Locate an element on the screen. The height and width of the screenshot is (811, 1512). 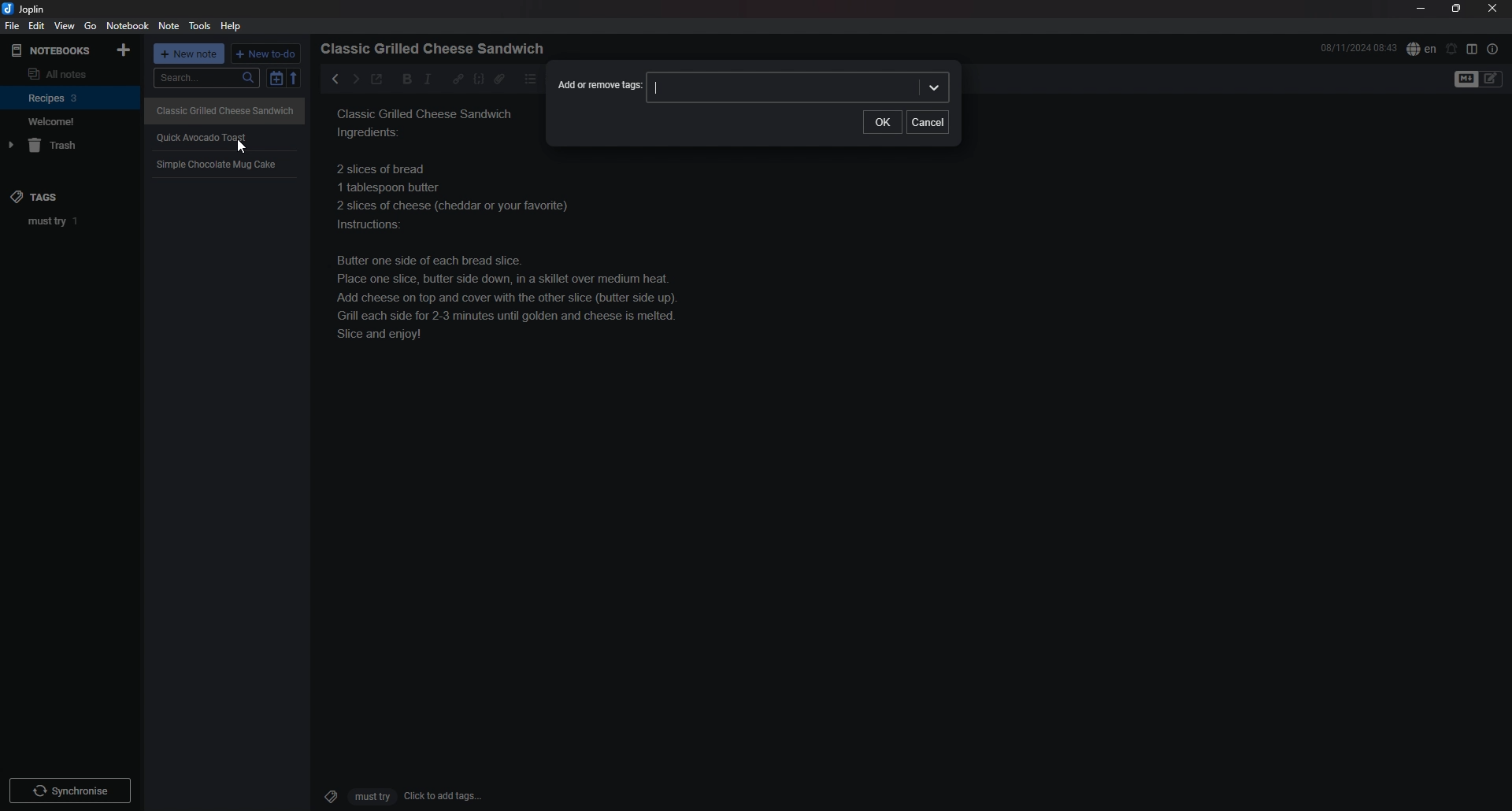
note properties is located at coordinates (1493, 49).